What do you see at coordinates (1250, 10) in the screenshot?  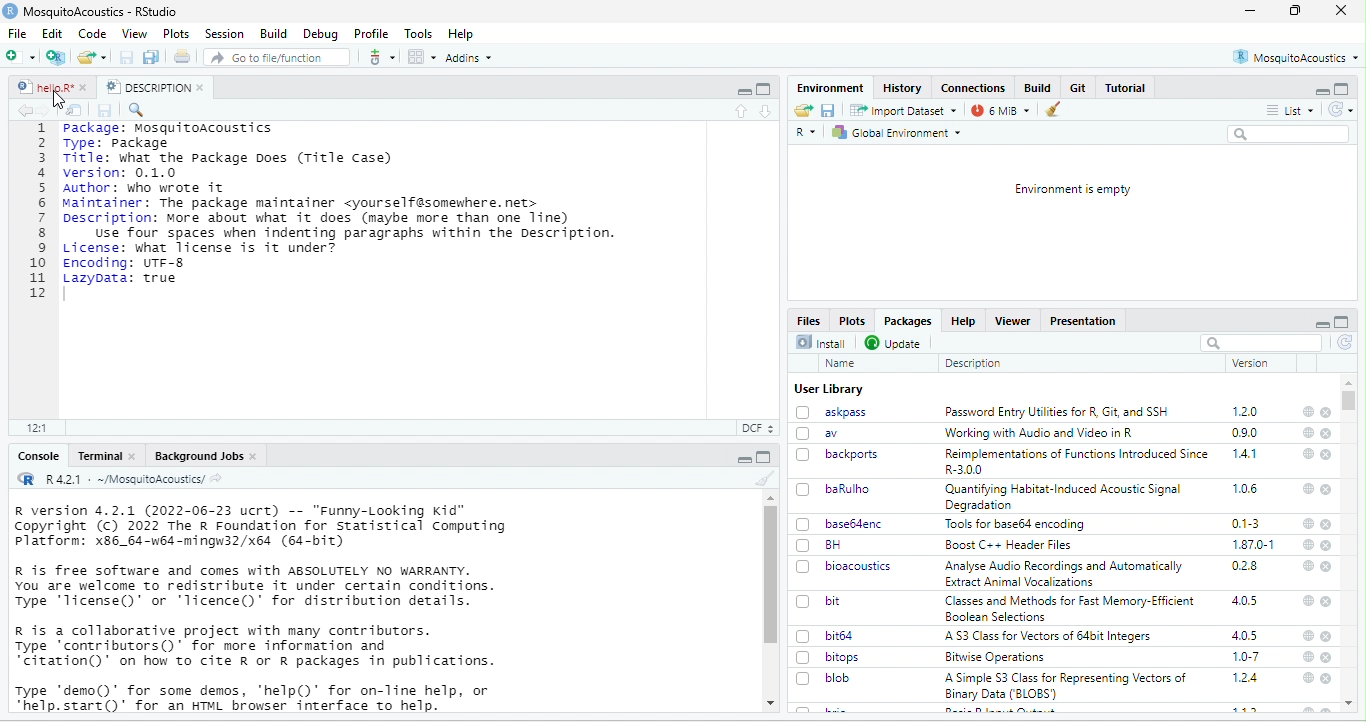 I see `minimize` at bounding box center [1250, 10].